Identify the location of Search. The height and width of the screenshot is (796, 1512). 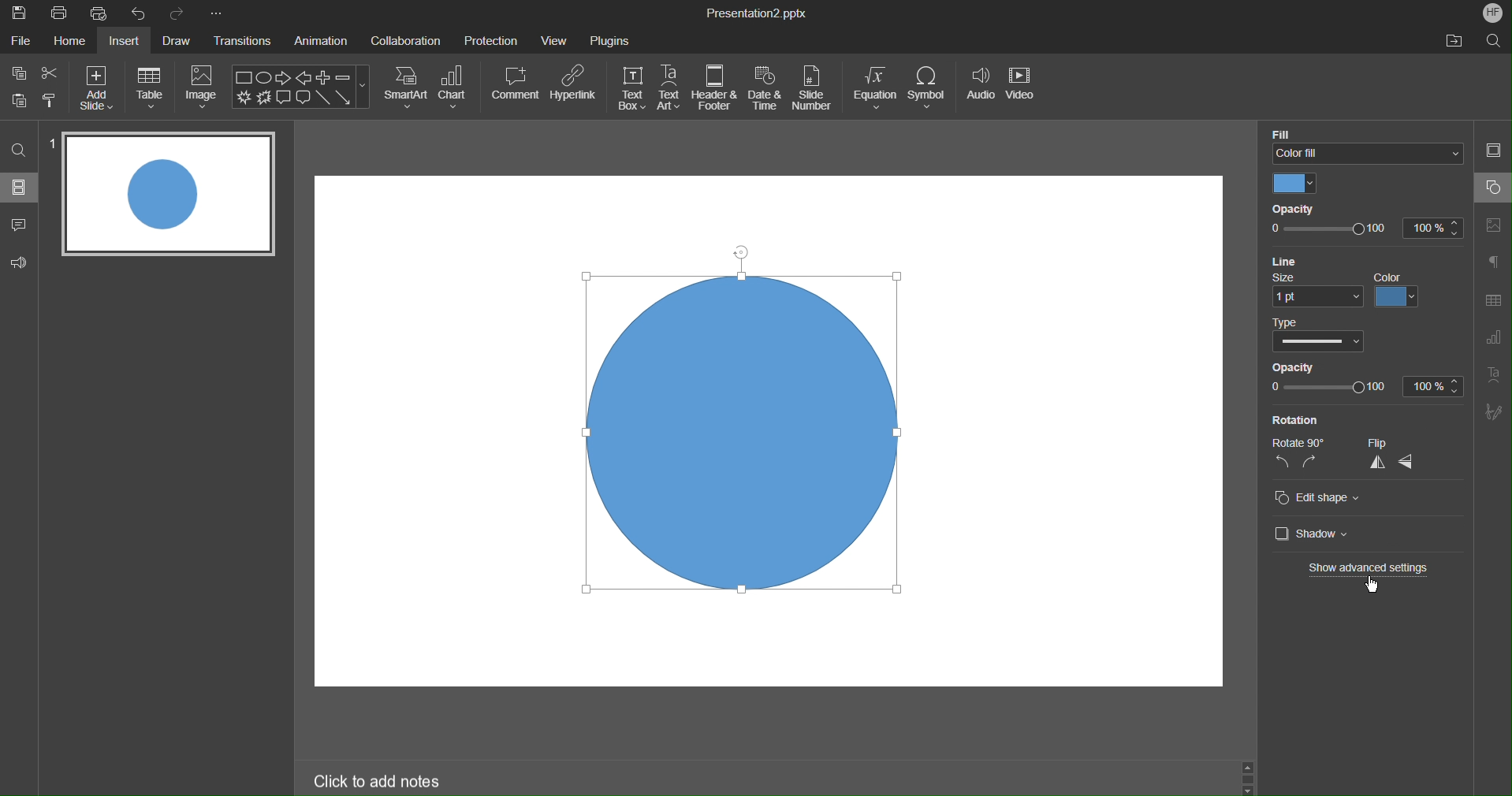
(19, 149).